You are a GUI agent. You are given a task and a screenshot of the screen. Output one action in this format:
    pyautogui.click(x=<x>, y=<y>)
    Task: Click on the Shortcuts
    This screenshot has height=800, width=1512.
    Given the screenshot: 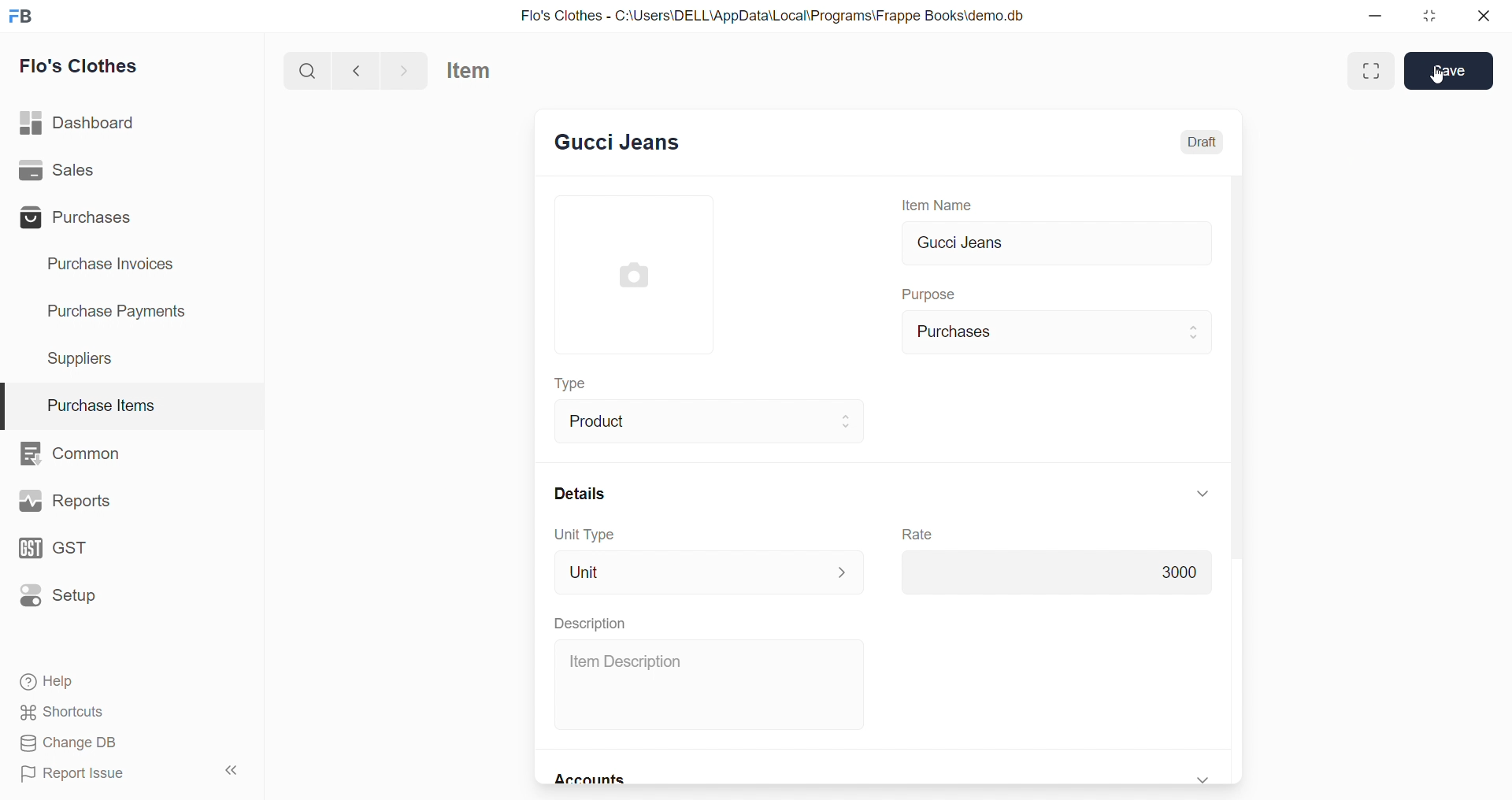 What is the action you would take?
    pyautogui.click(x=127, y=711)
    